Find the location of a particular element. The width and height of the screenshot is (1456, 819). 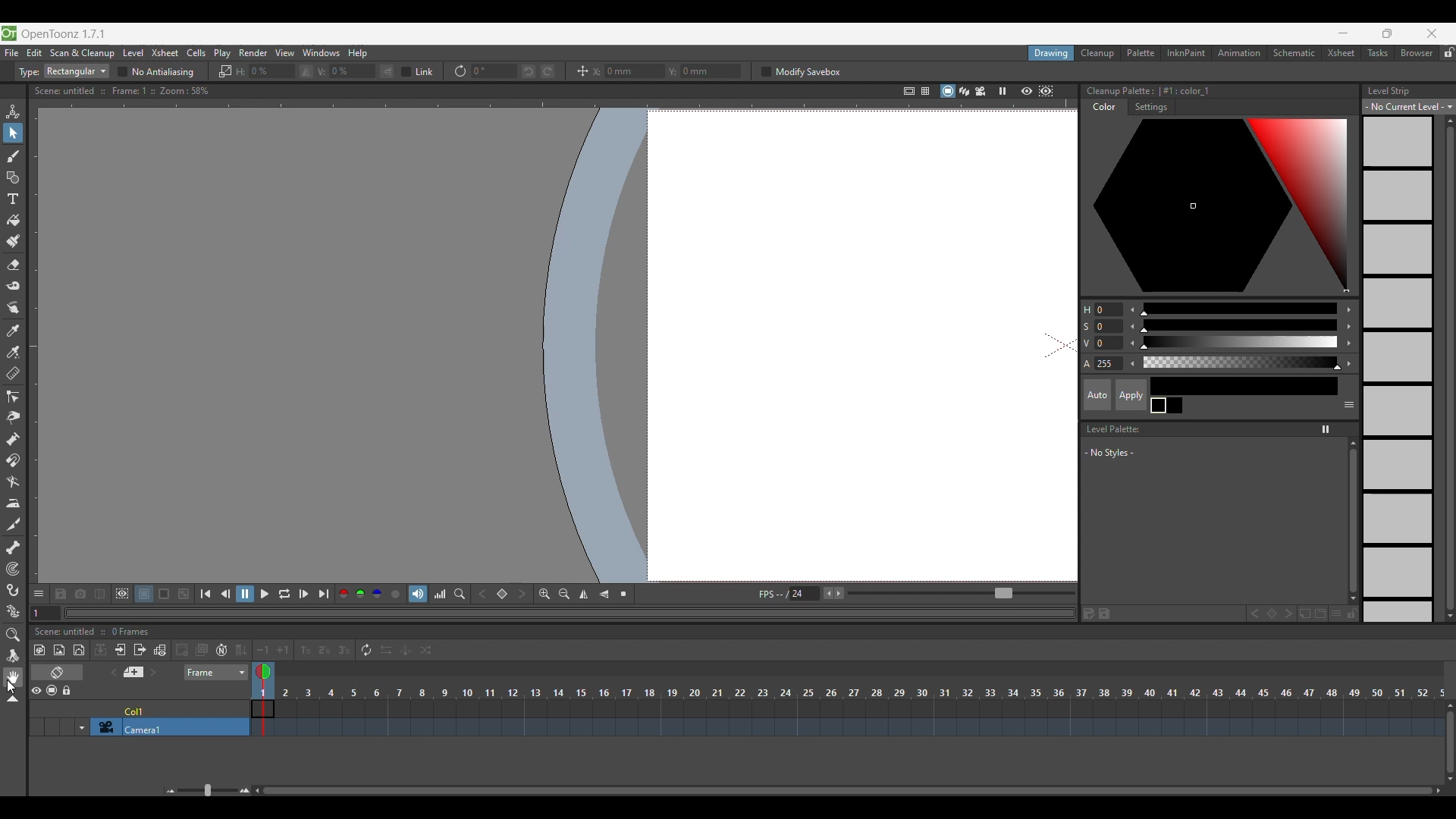

Pump tool is located at coordinates (12, 439).